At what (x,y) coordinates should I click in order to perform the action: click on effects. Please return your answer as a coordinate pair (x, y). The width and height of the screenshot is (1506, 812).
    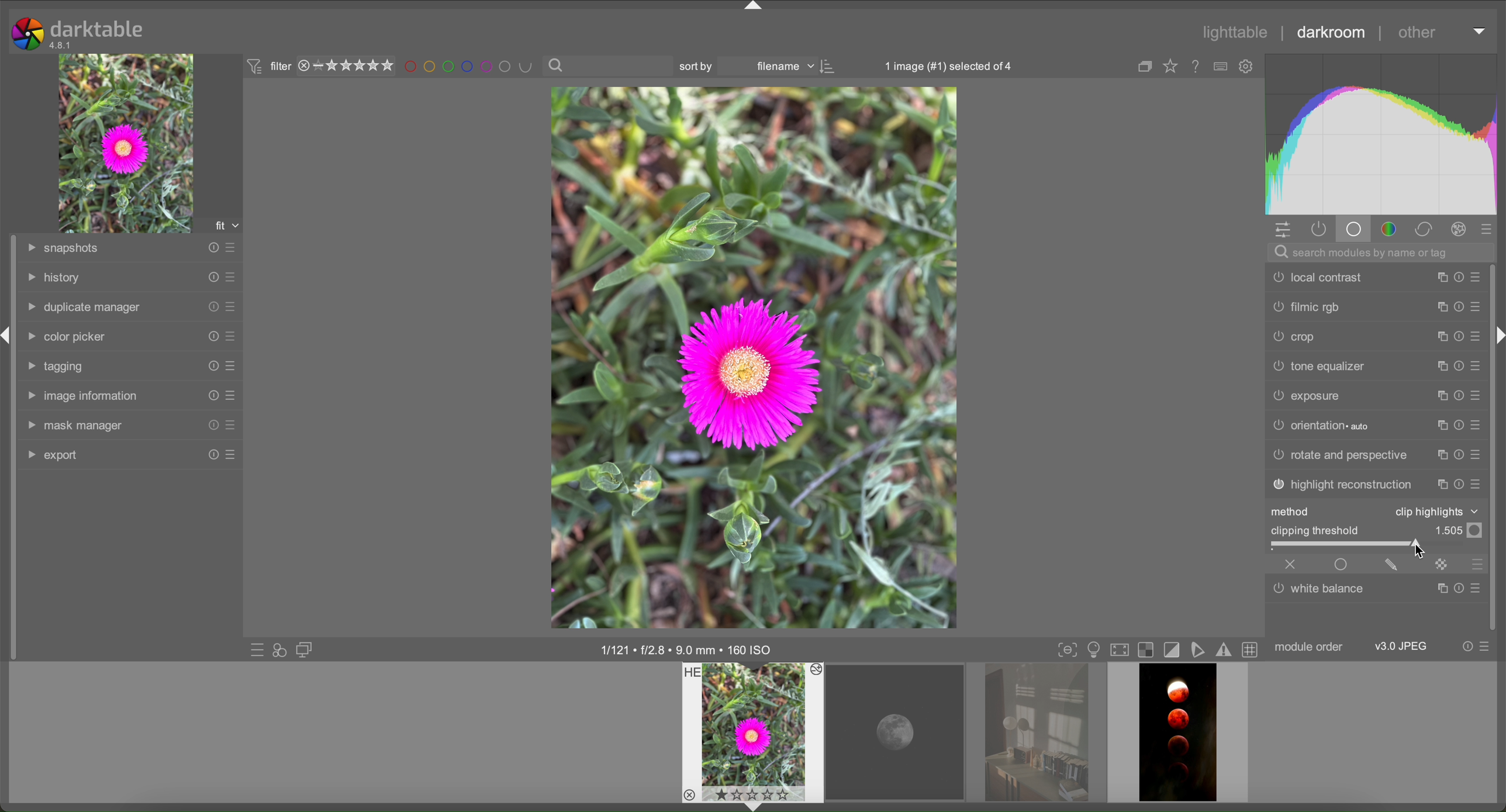
    Looking at the image, I should click on (1458, 228).